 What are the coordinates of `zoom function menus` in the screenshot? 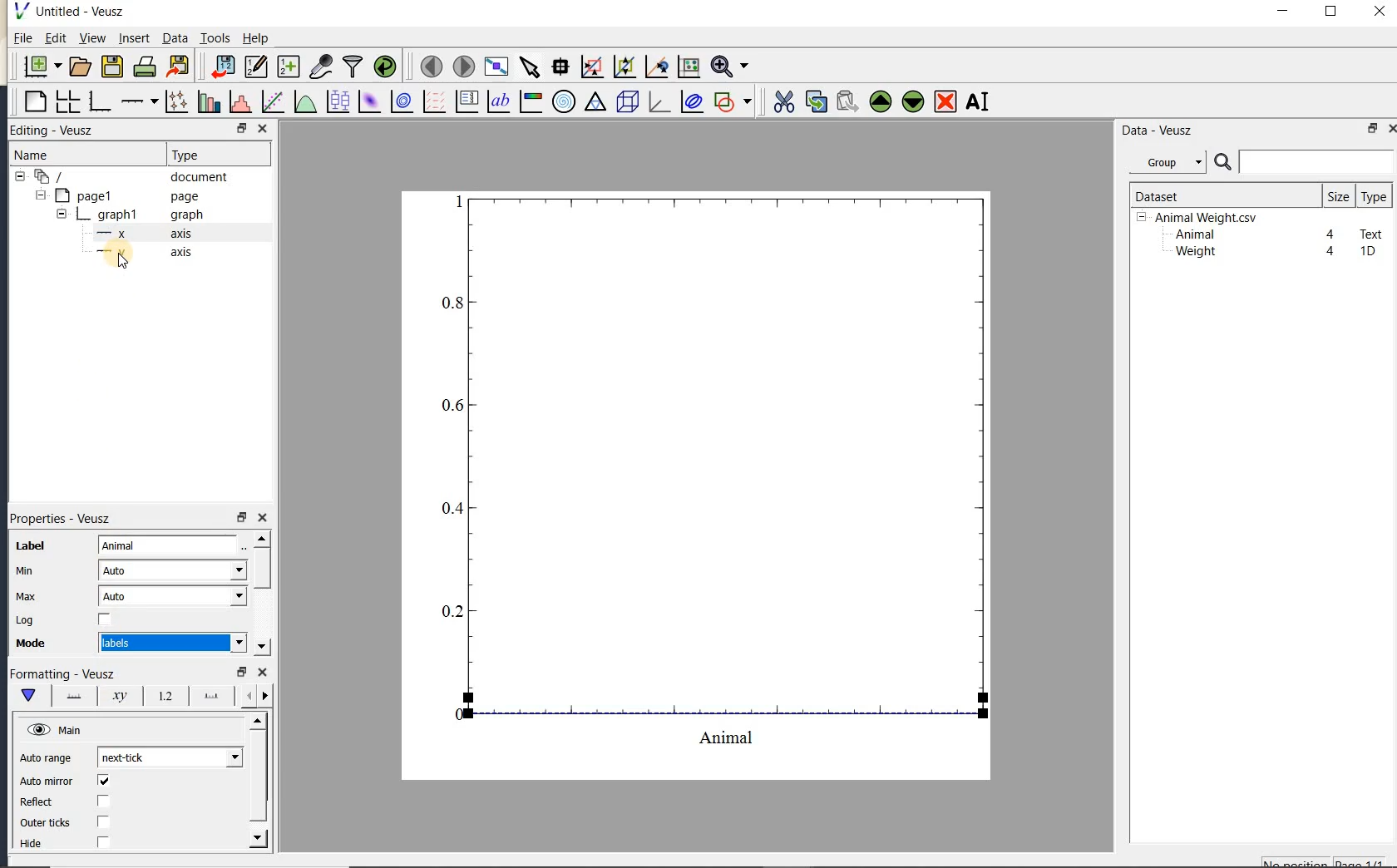 It's located at (729, 67).